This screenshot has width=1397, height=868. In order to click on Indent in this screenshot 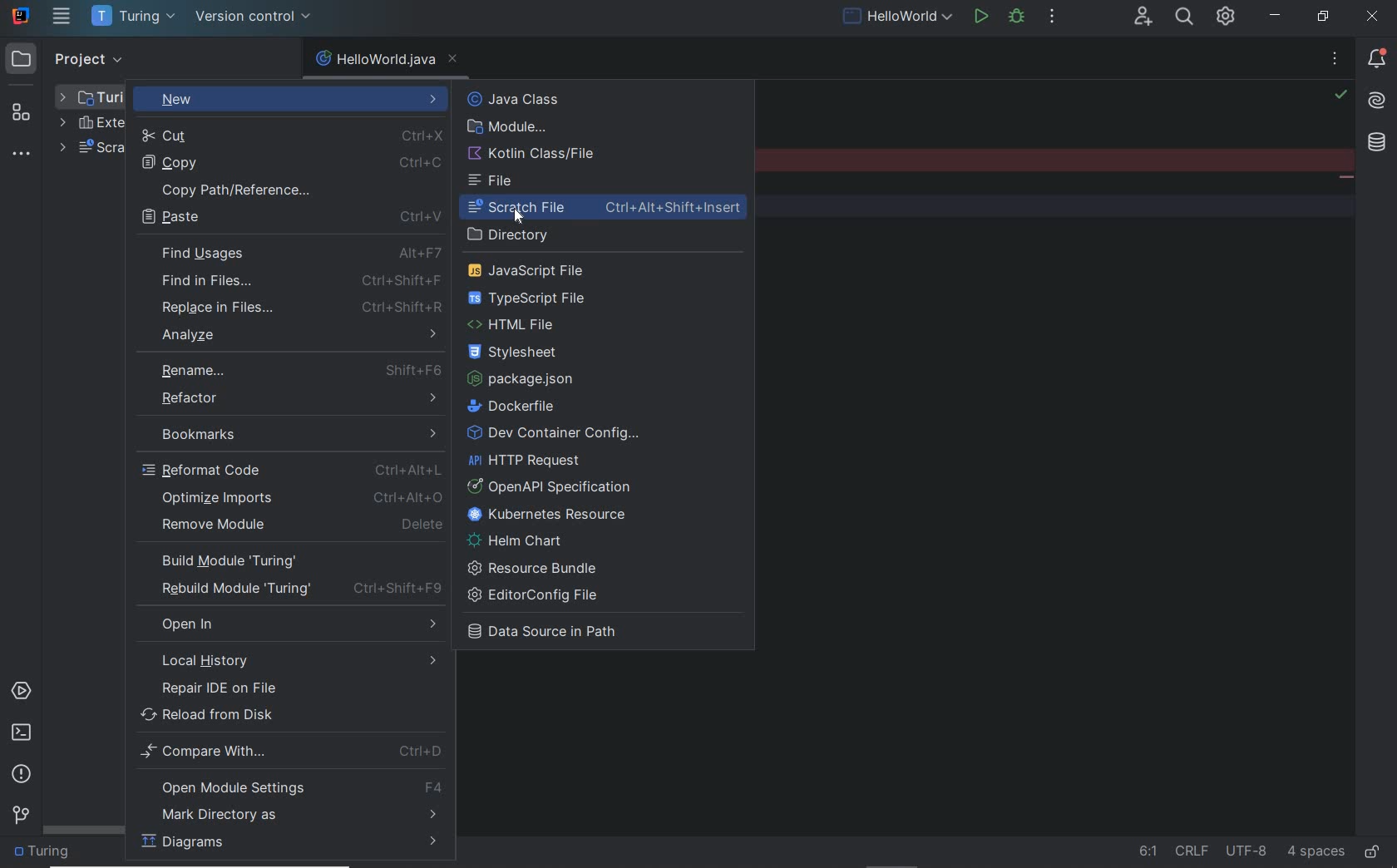, I will do `click(1316, 853)`.